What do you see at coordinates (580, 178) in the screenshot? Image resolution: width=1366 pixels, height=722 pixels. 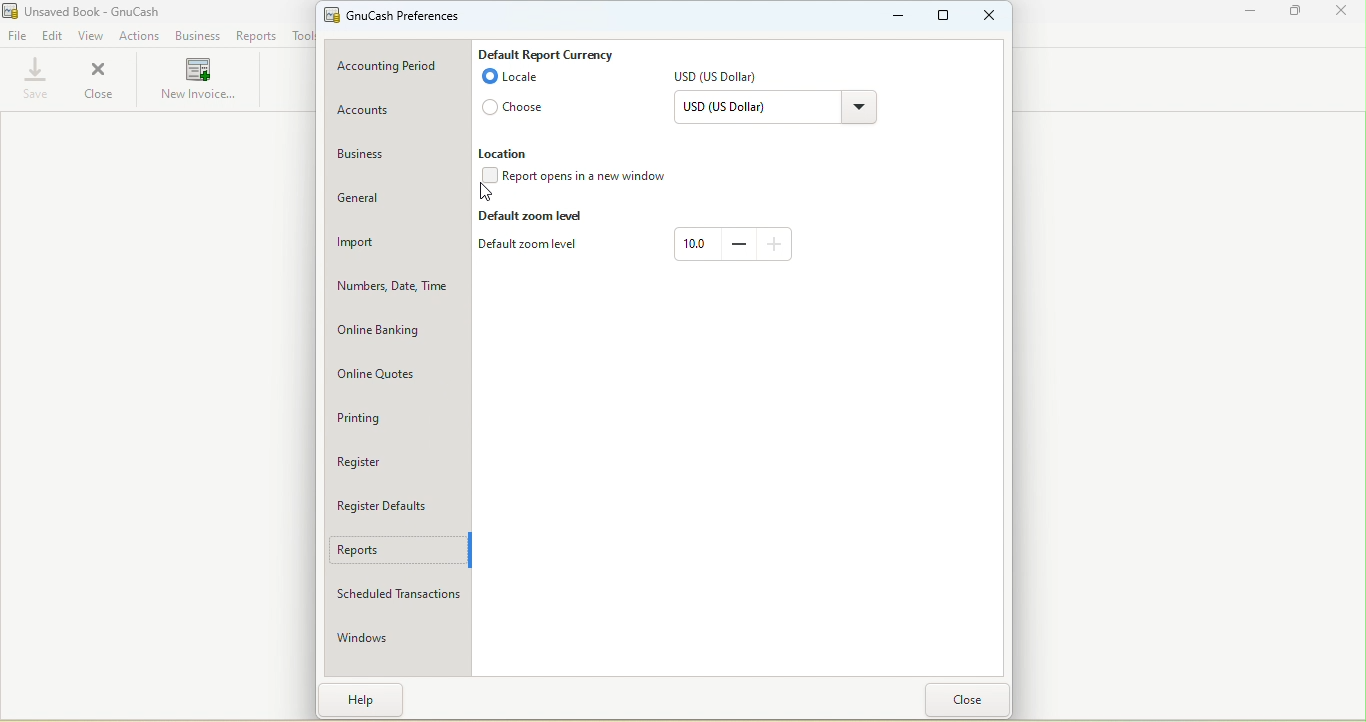 I see `Report opens in a new window` at bounding box center [580, 178].